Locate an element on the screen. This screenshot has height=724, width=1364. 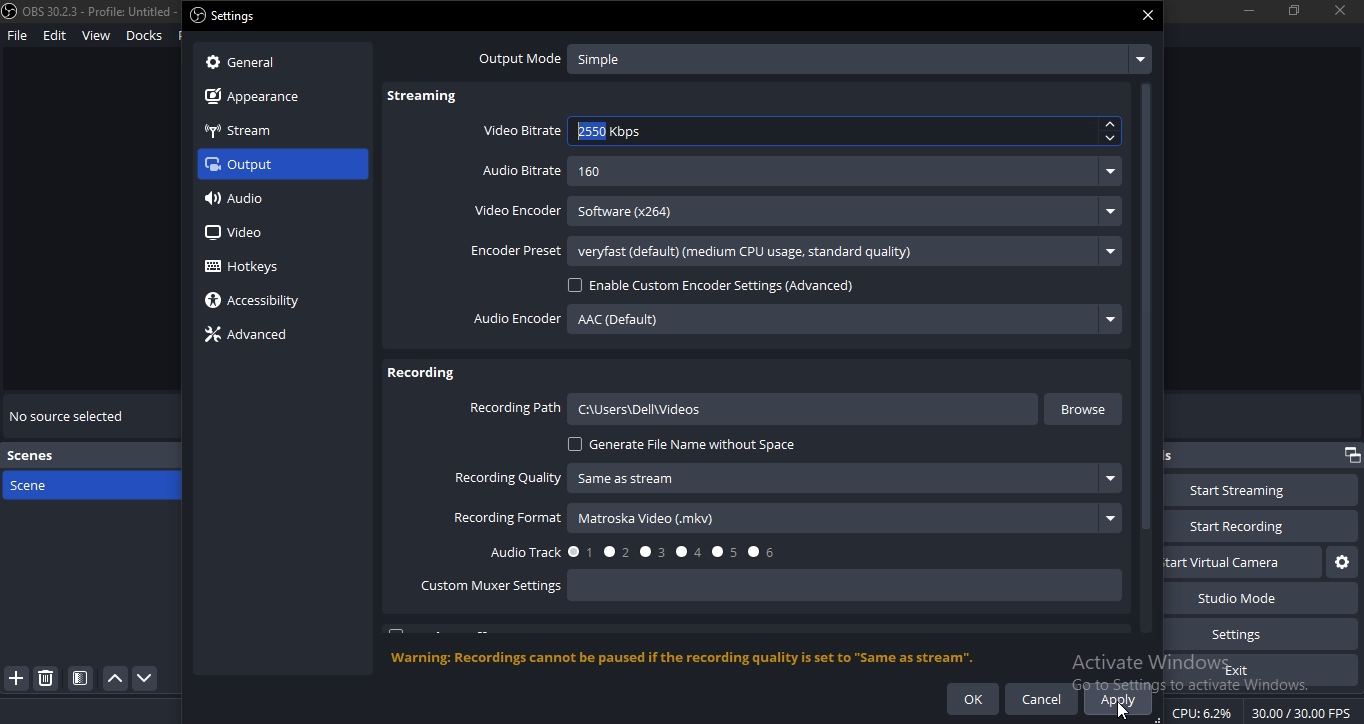
scene is located at coordinates (64, 484).